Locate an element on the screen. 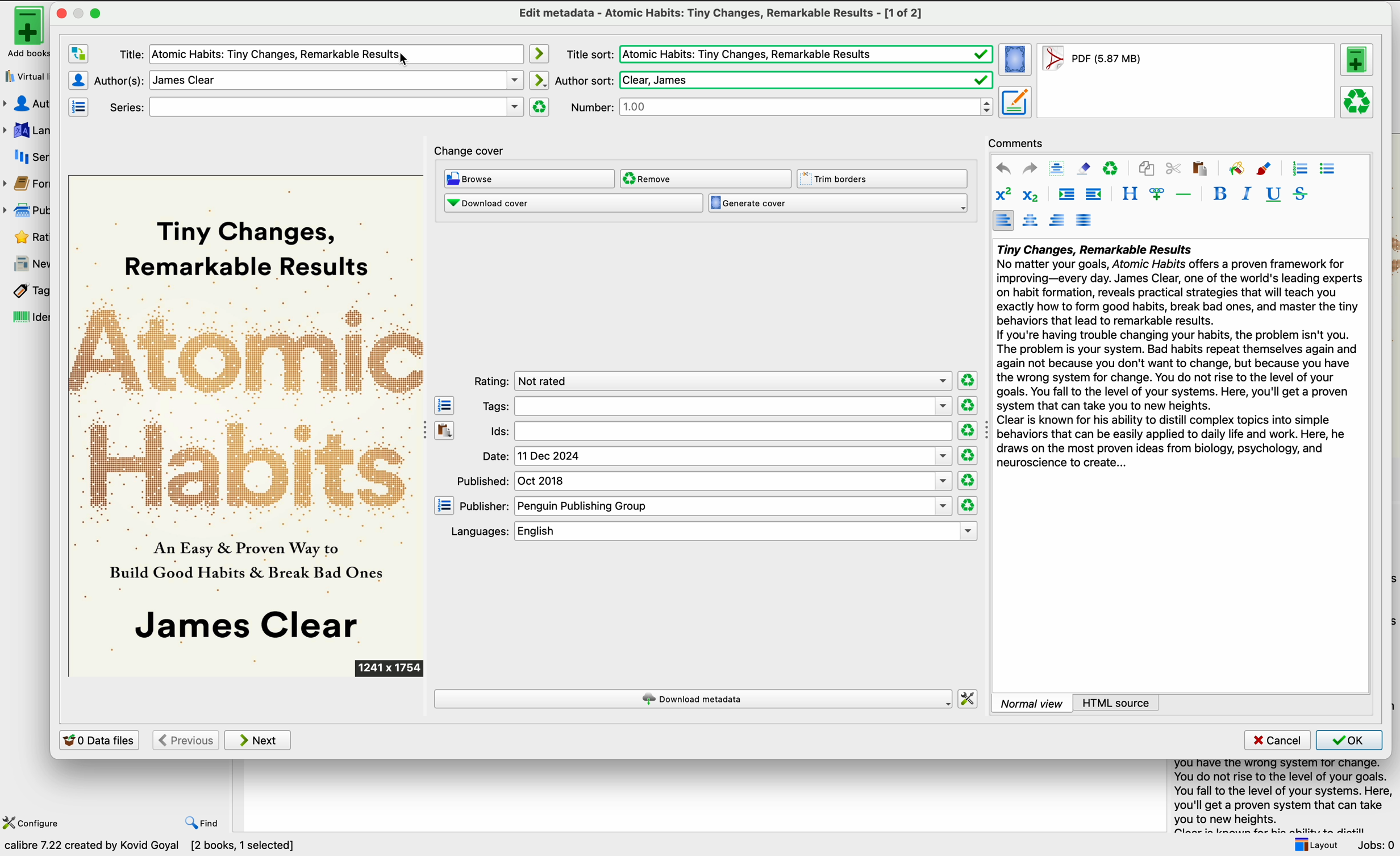 This screenshot has width=1400, height=856. remove the selected format from this book is located at coordinates (1358, 103).